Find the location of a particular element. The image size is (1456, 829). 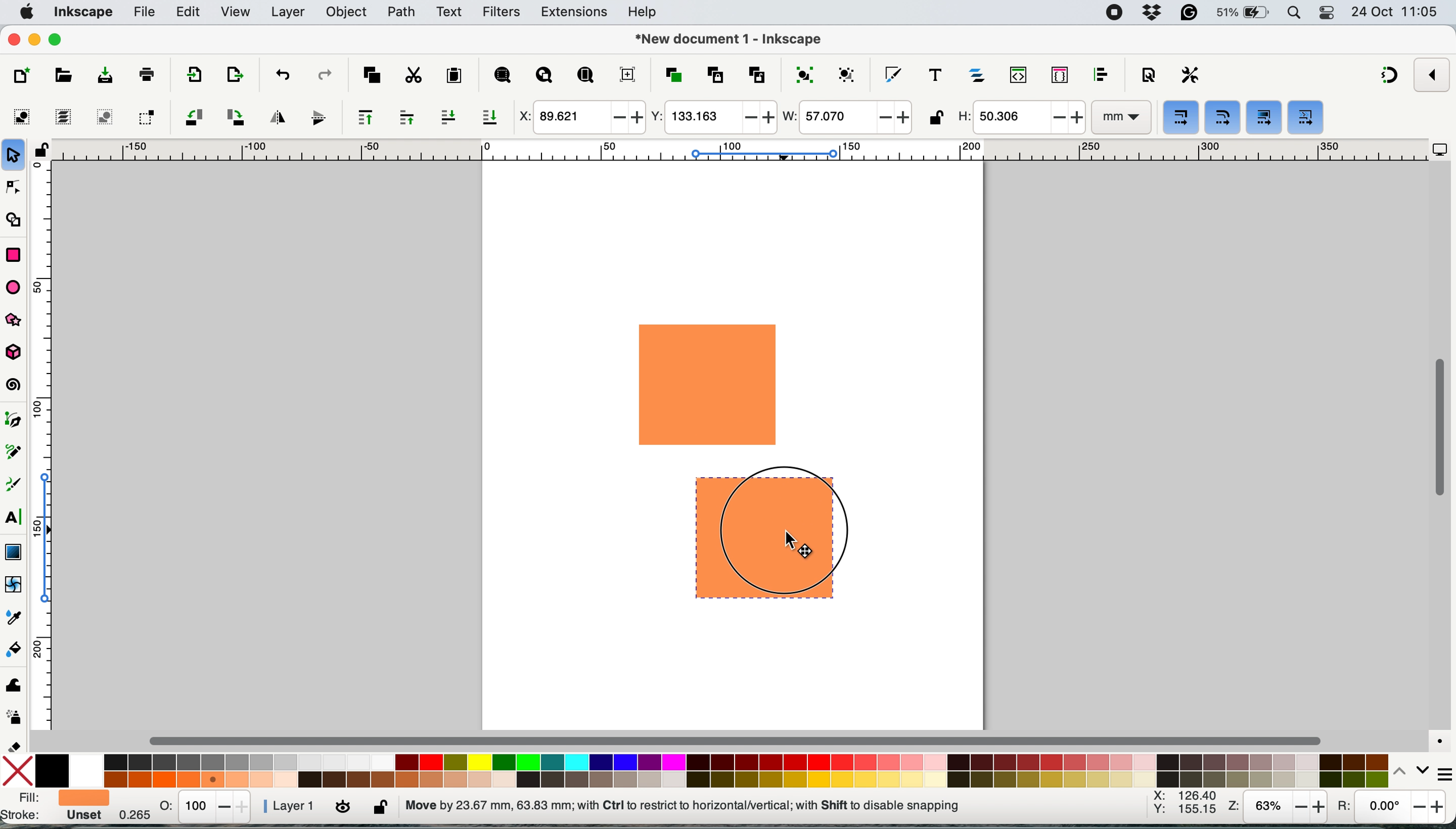

tweak tool is located at coordinates (13, 683).